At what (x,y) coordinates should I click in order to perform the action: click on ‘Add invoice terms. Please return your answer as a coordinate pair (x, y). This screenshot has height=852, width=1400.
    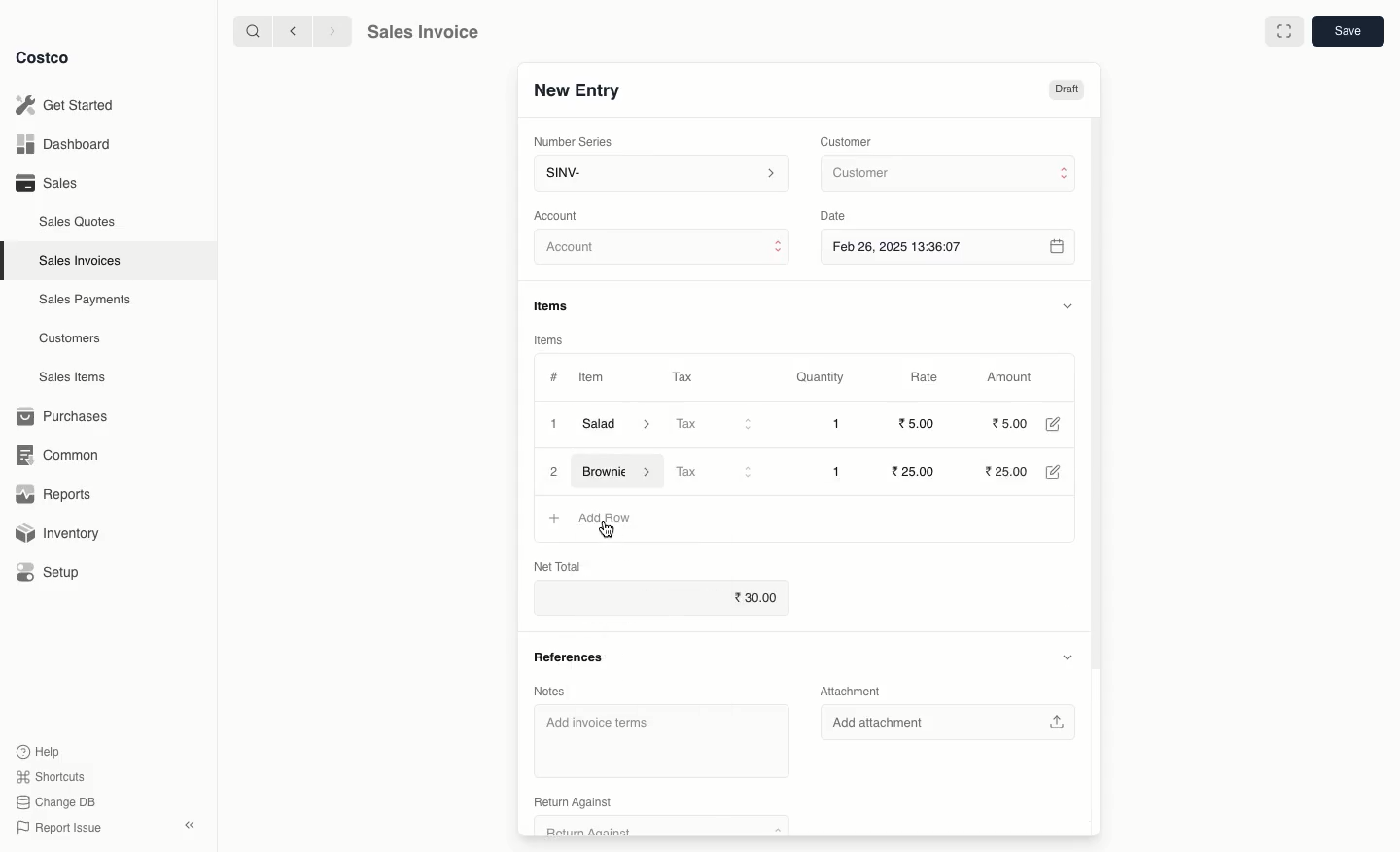
    Looking at the image, I should click on (657, 743).